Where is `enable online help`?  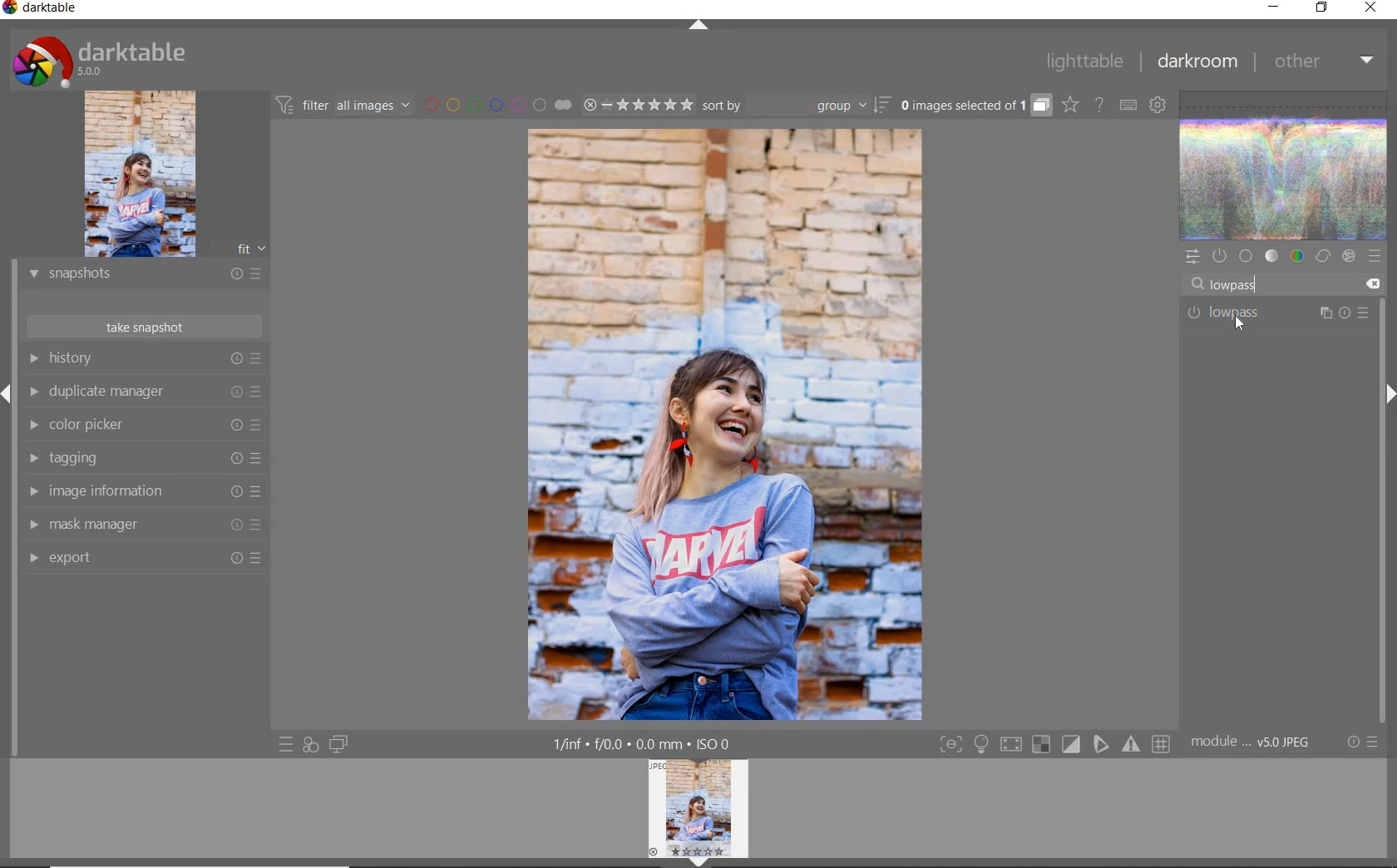
enable online help is located at coordinates (1100, 104).